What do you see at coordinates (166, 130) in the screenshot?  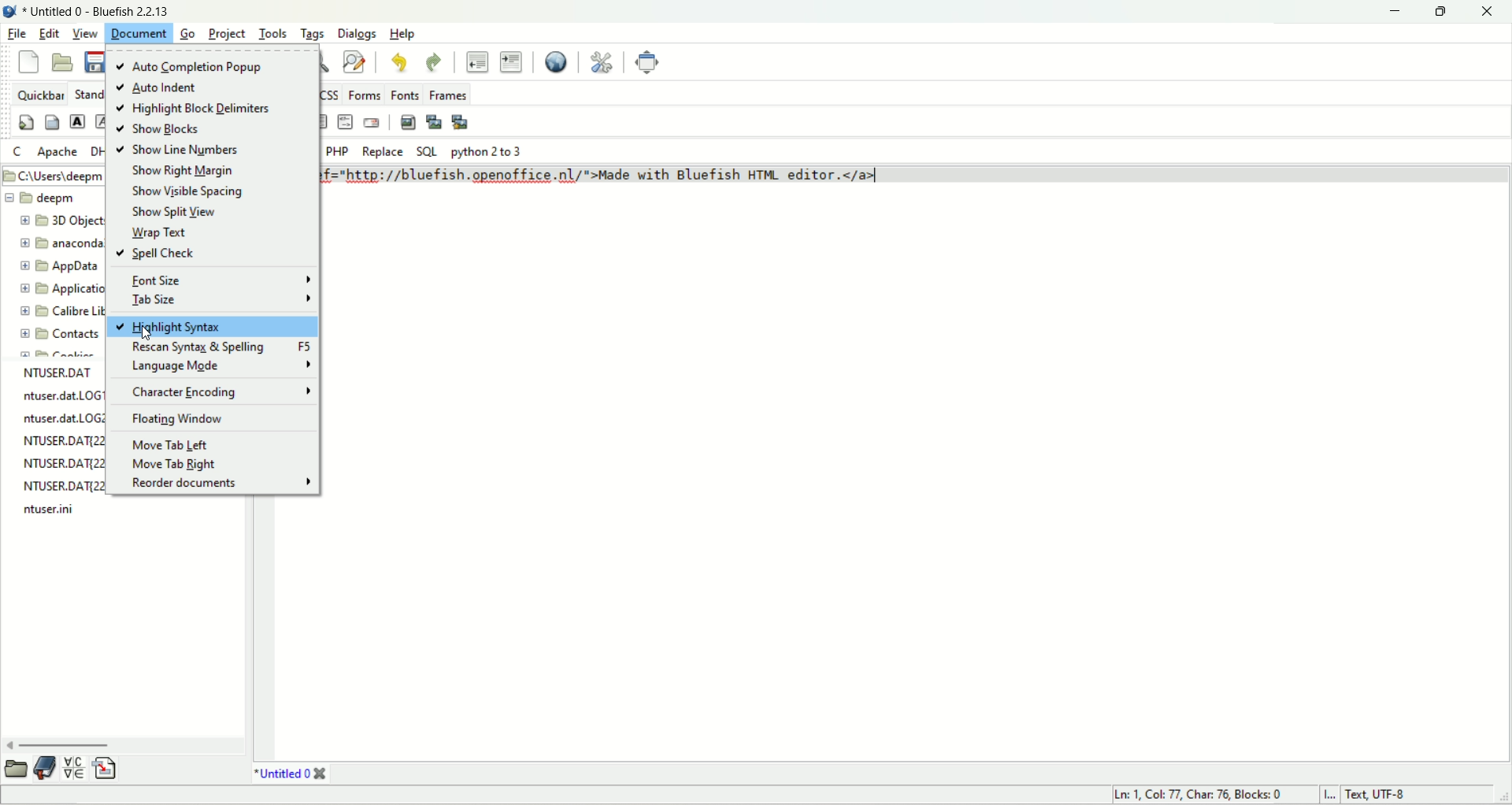 I see `show blocks` at bounding box center [166, 130].